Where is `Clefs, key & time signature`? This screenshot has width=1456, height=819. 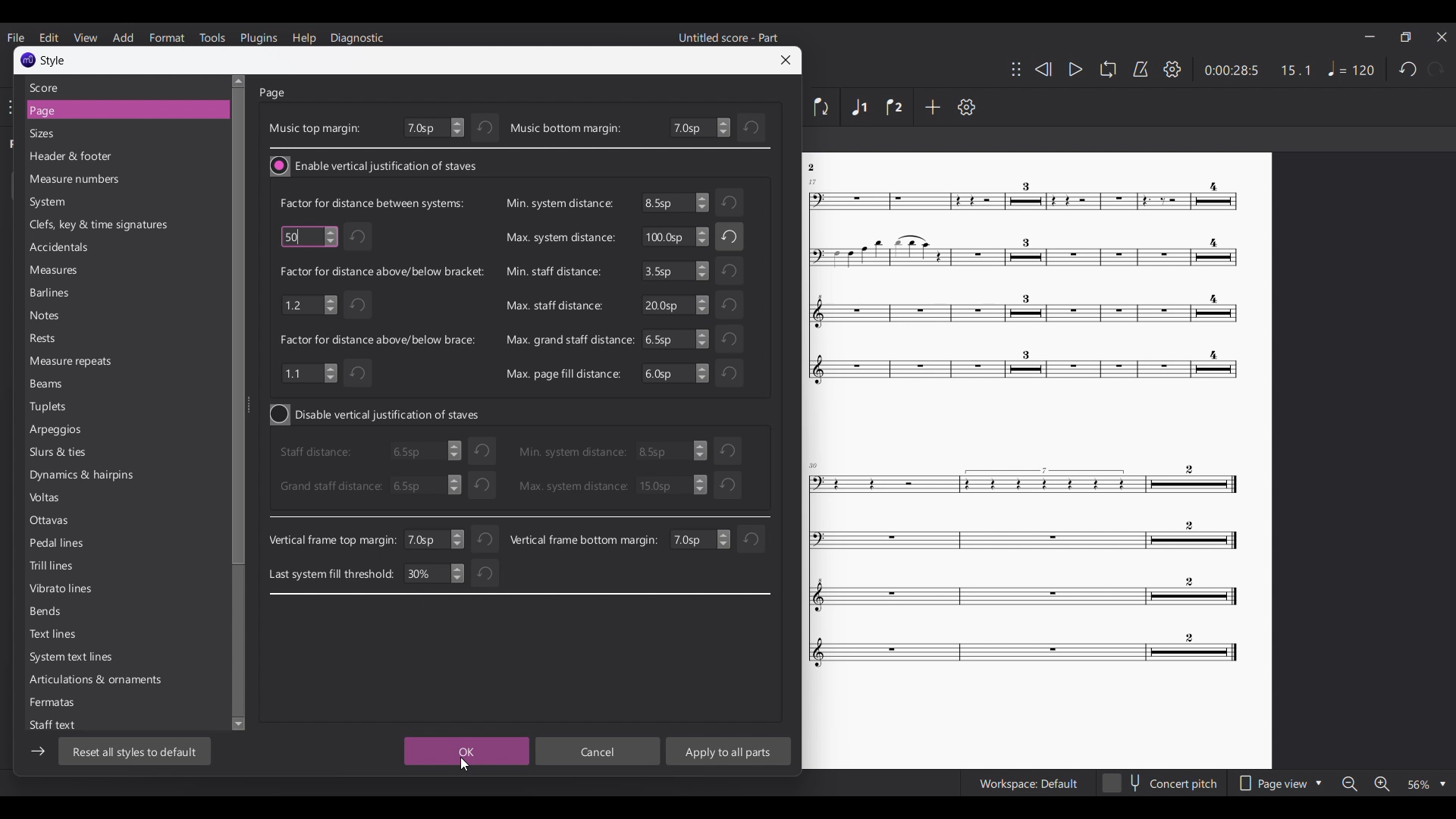 Clefs, key & time signature is located at coordinates (105, 225).